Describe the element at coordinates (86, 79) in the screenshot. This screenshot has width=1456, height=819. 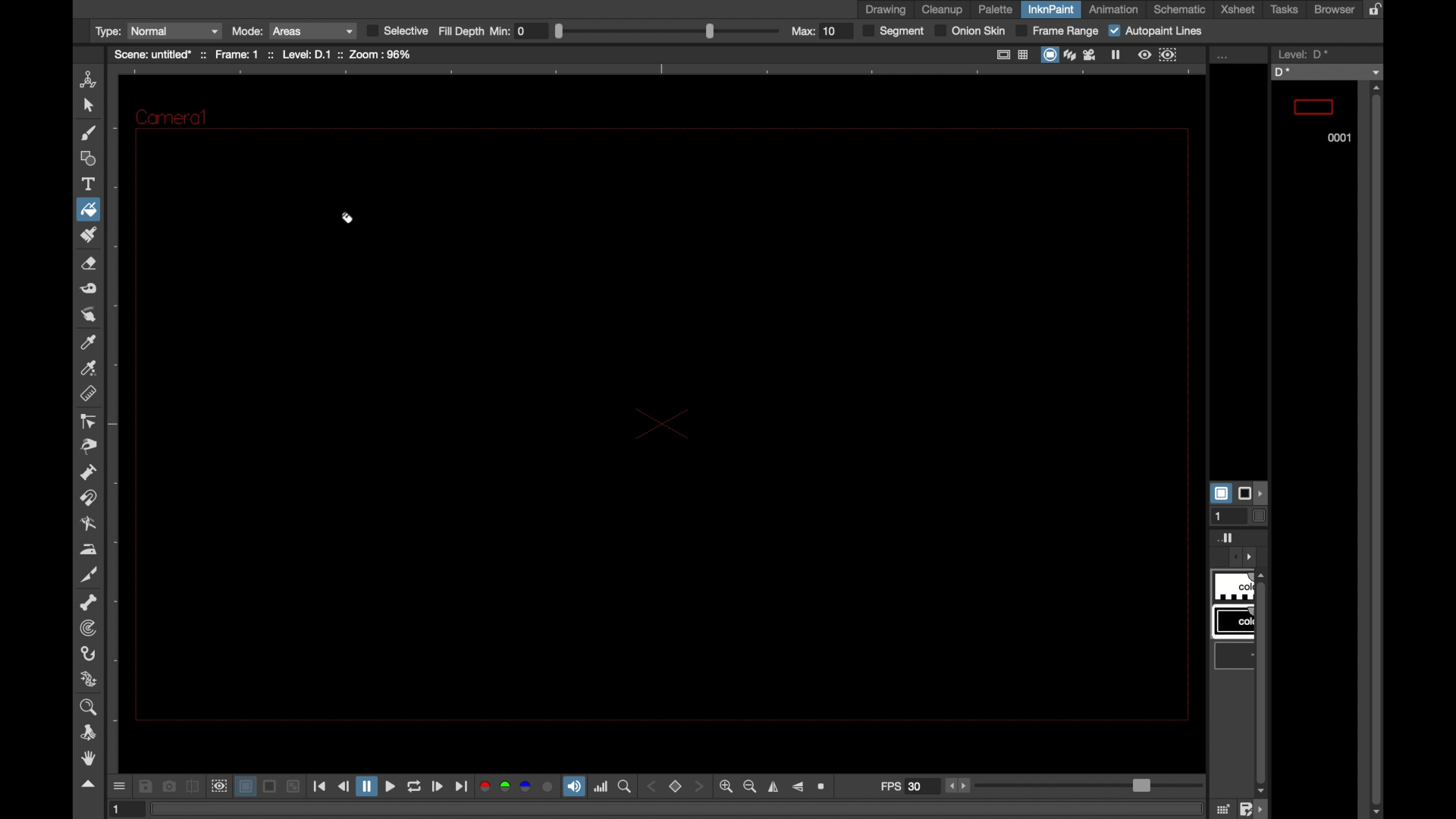
I see `animate tool ` at that location.